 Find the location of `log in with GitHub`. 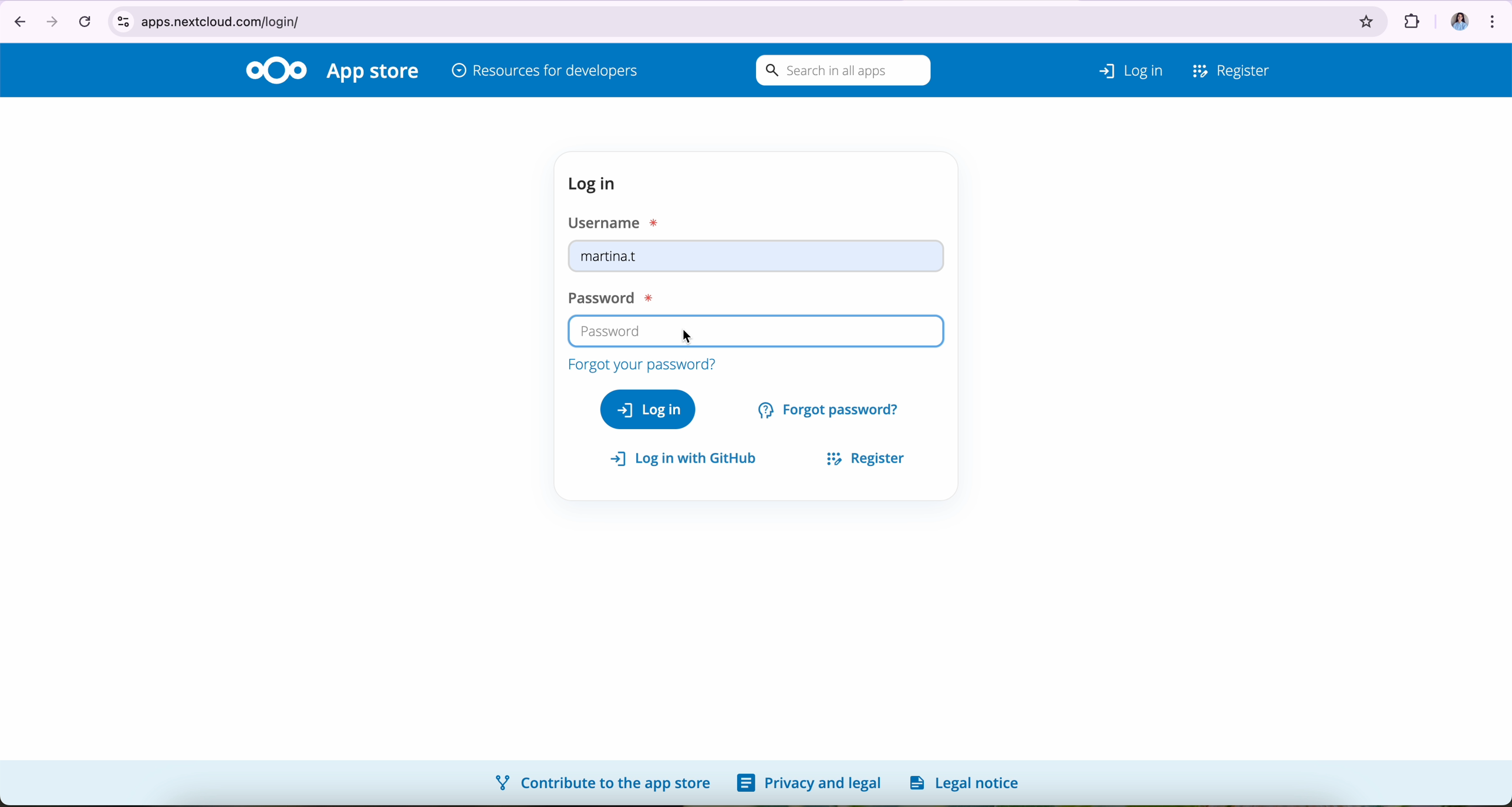

log in with GitHub is located at coordinates (689, 459).